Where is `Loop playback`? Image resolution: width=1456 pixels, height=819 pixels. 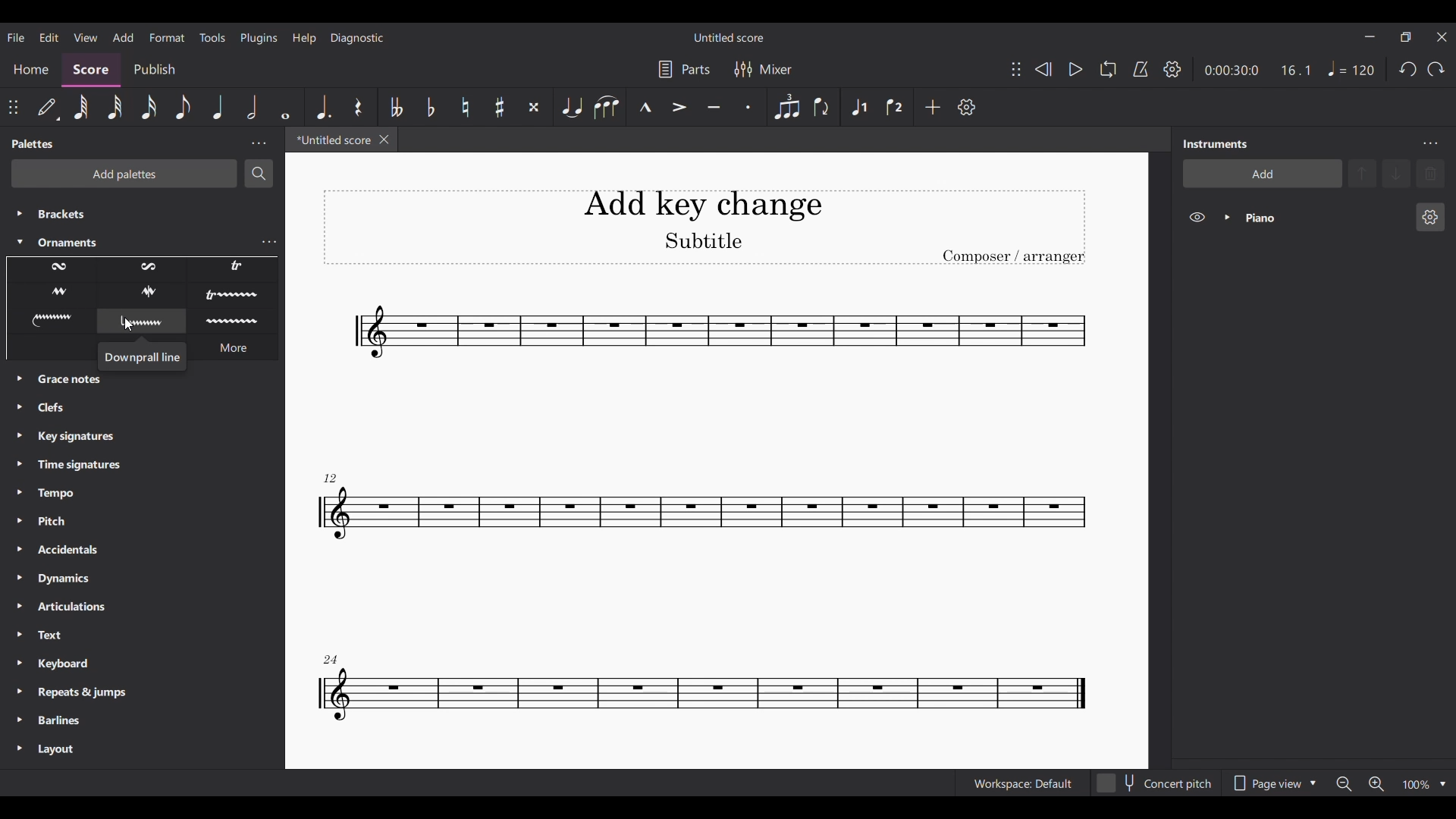
Loop playback is located at coordinates (1108, 69).